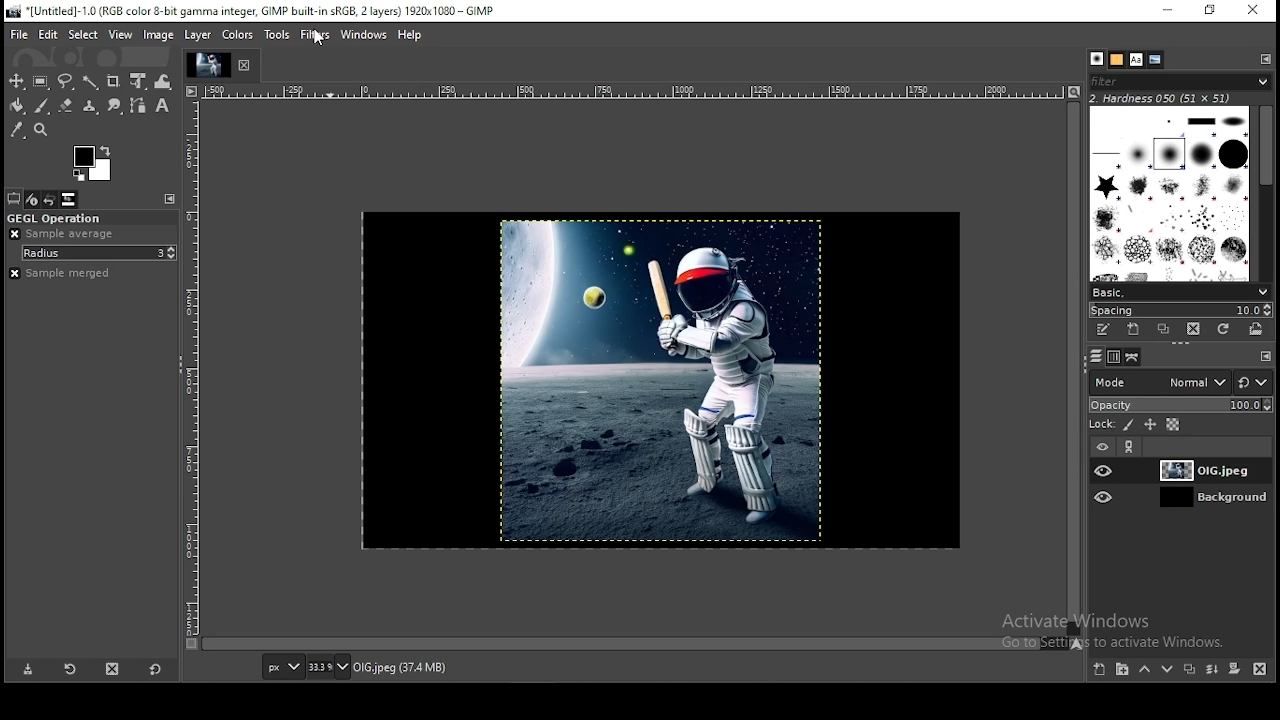  I want to click on colors, so click(239, 35).